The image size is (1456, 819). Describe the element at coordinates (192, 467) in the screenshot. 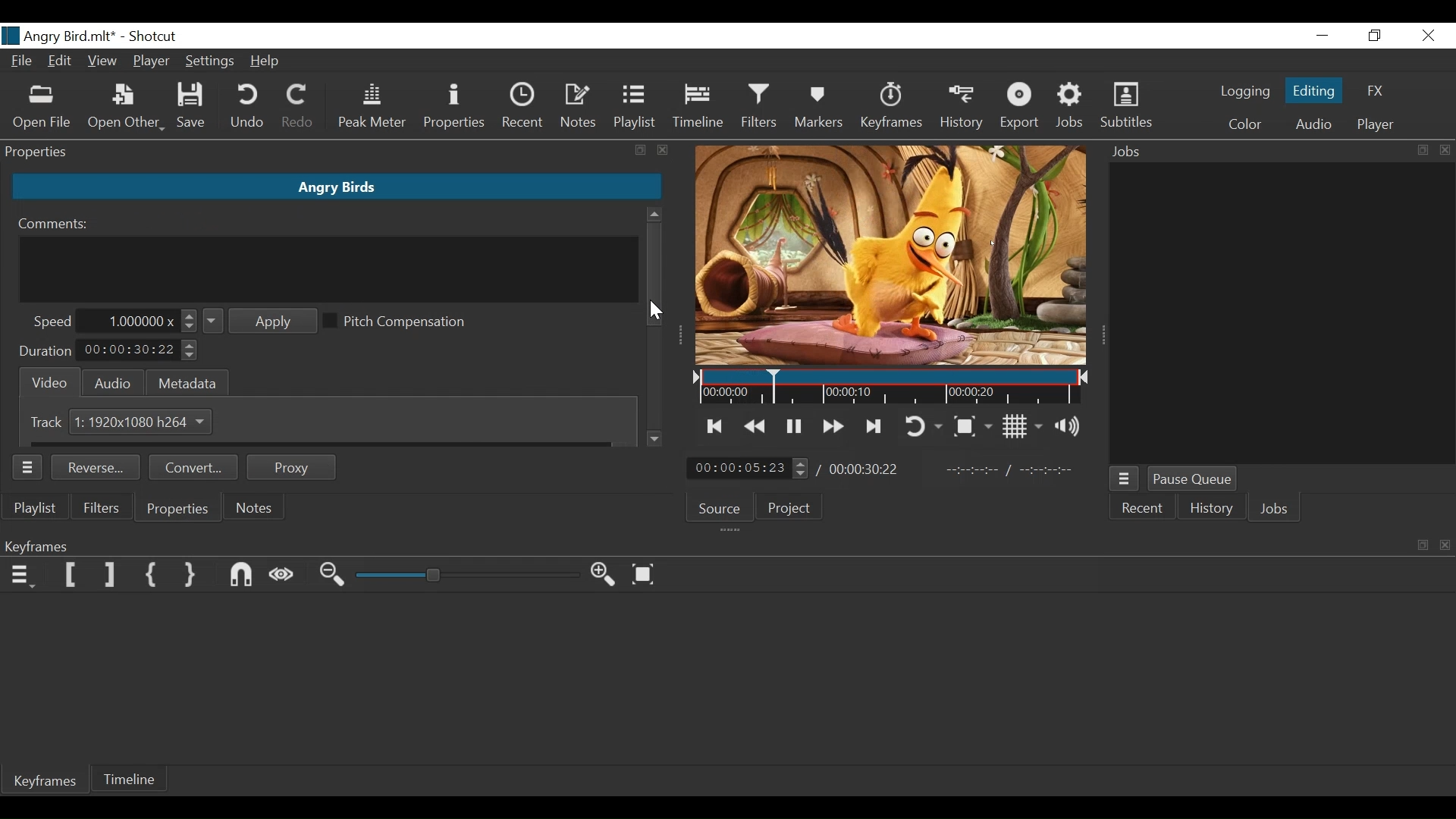

I see `Convert` at that location.